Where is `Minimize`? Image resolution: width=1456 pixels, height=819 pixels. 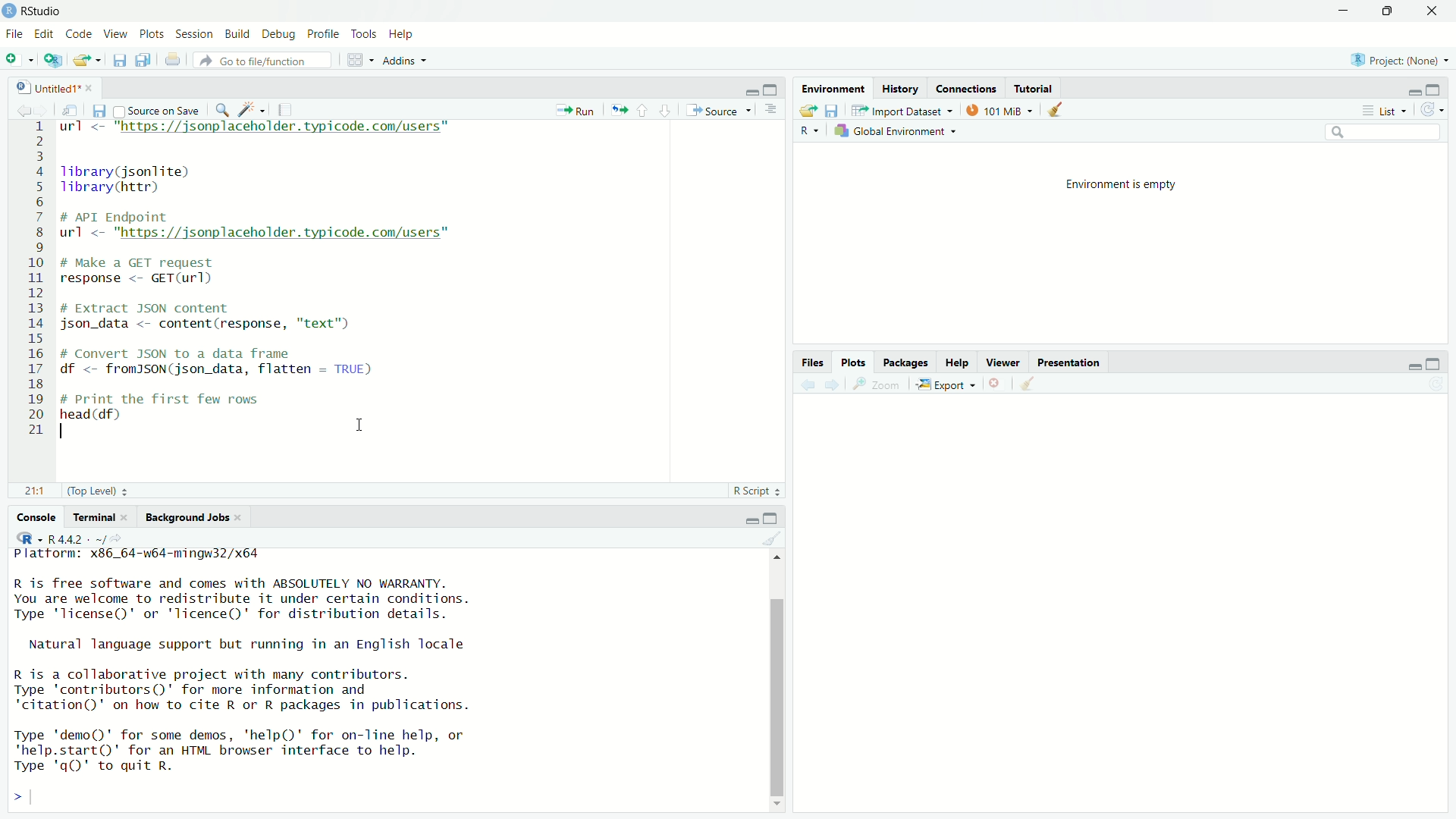
Minimize is located at coordinates (749, 520).